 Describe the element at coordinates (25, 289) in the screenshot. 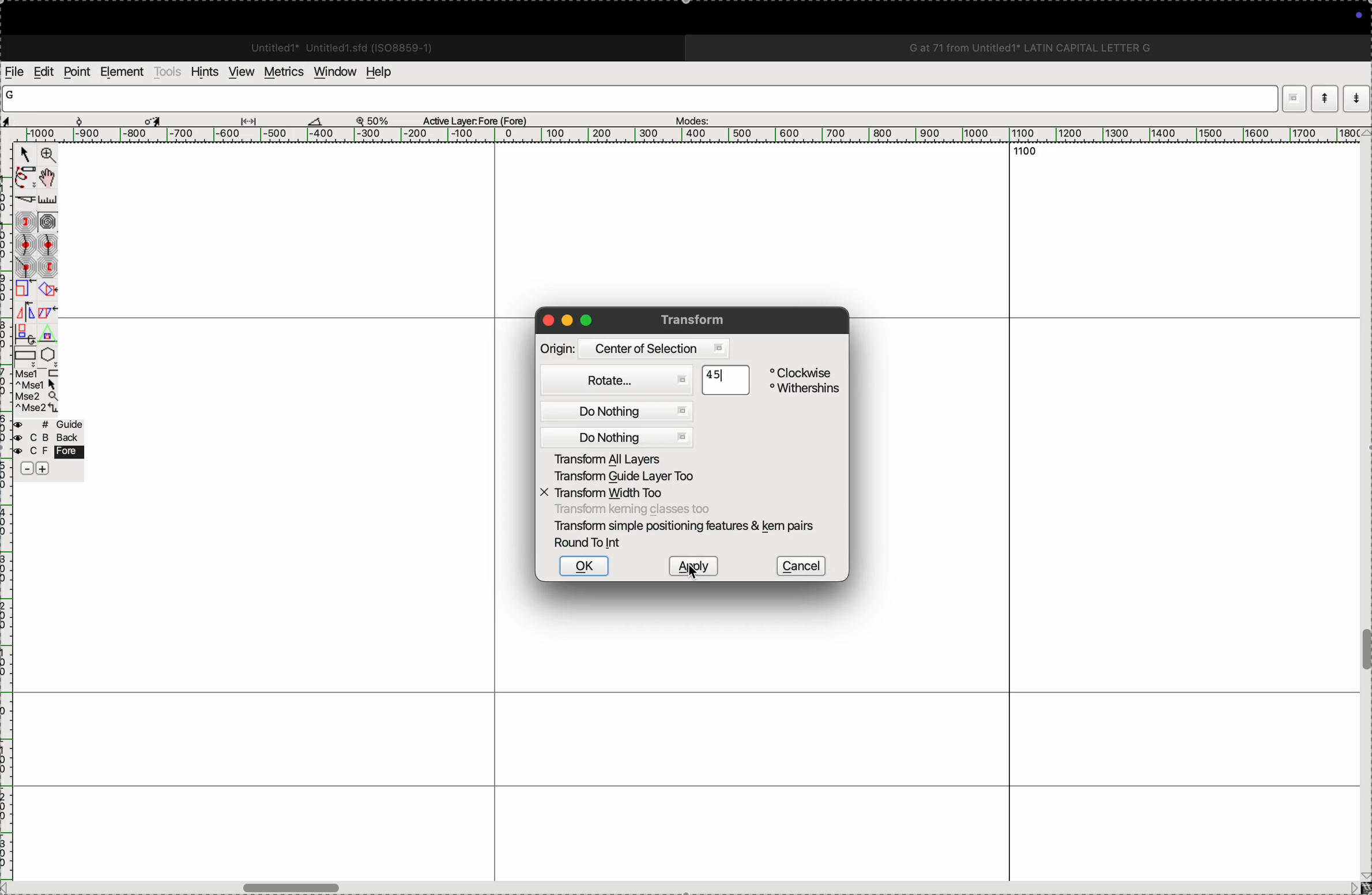

I see `scale` at that location.